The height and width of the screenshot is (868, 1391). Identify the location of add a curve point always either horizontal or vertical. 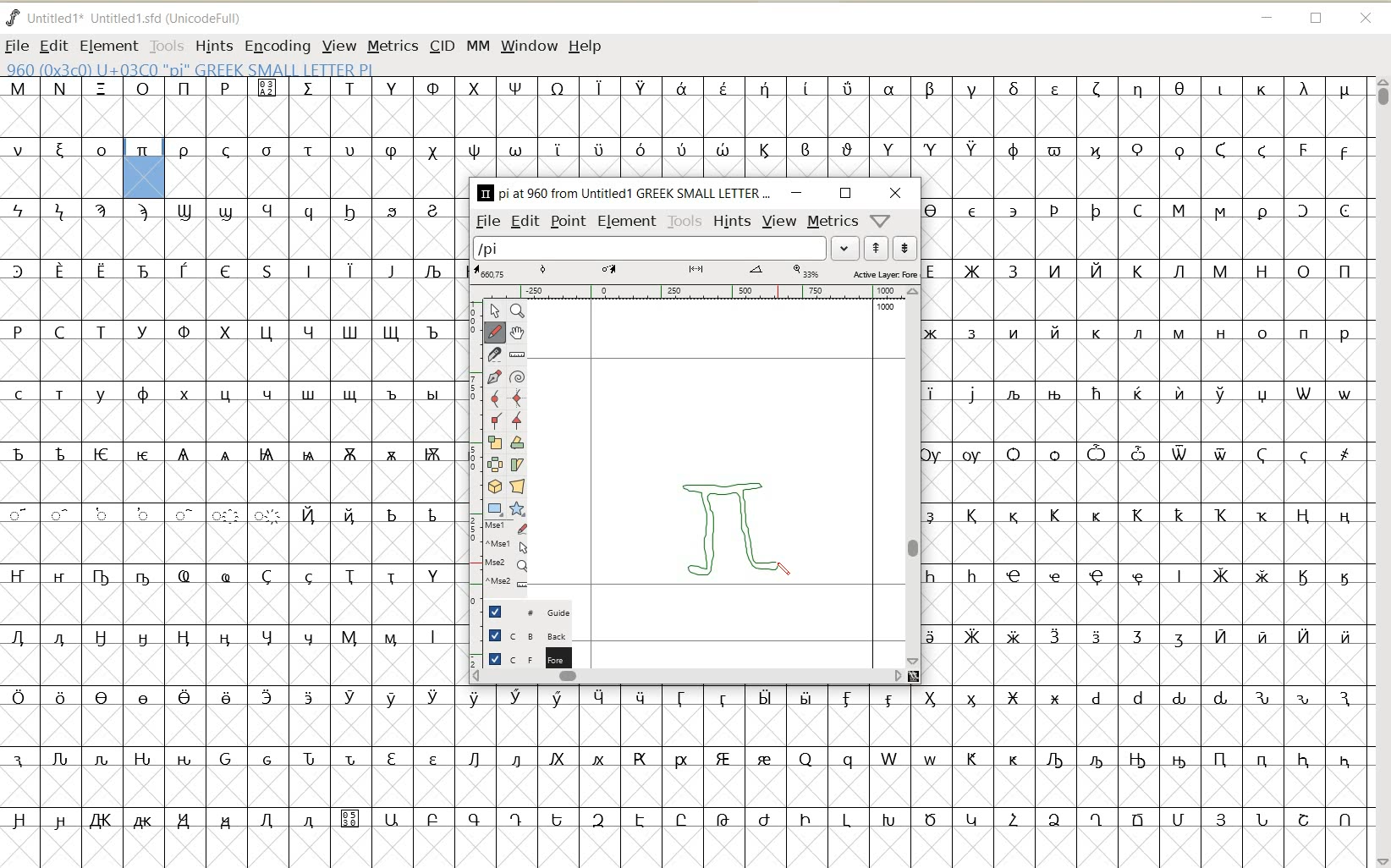
(519, 398).